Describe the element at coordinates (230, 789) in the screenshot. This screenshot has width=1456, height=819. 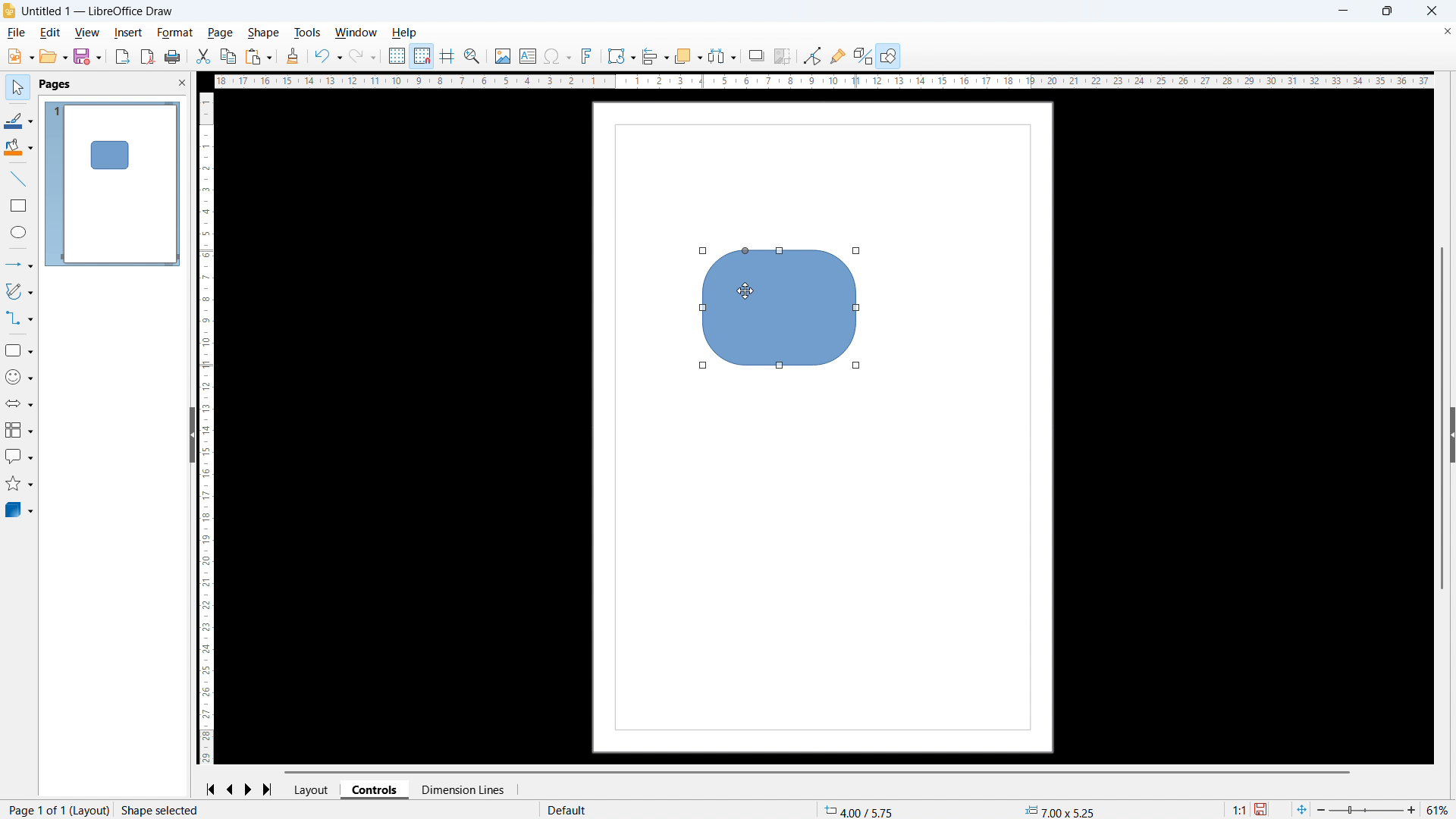
I see `Previous page ` at that location.